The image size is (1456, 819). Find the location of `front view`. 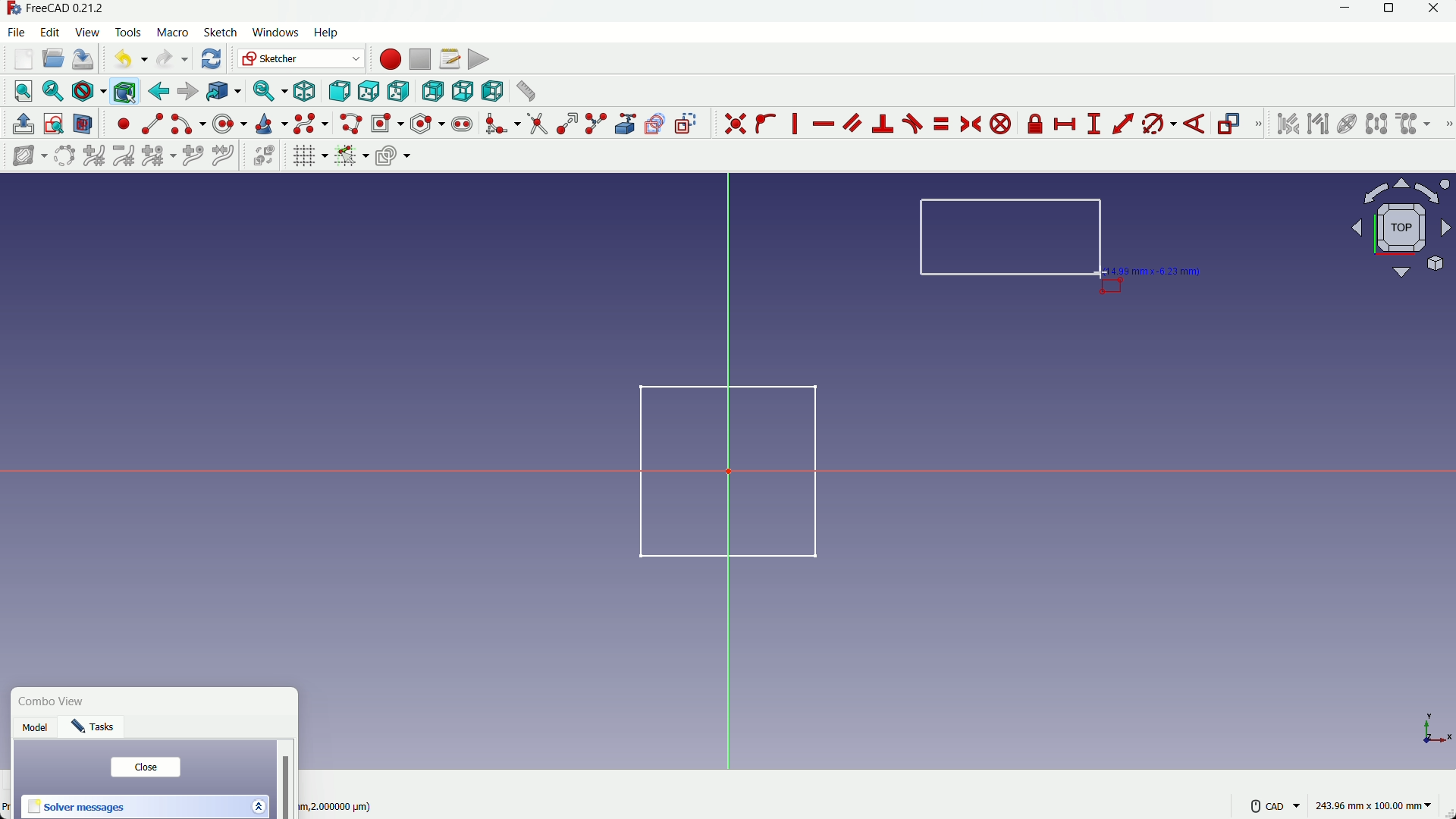

front view is located at coordinates (338, 93).